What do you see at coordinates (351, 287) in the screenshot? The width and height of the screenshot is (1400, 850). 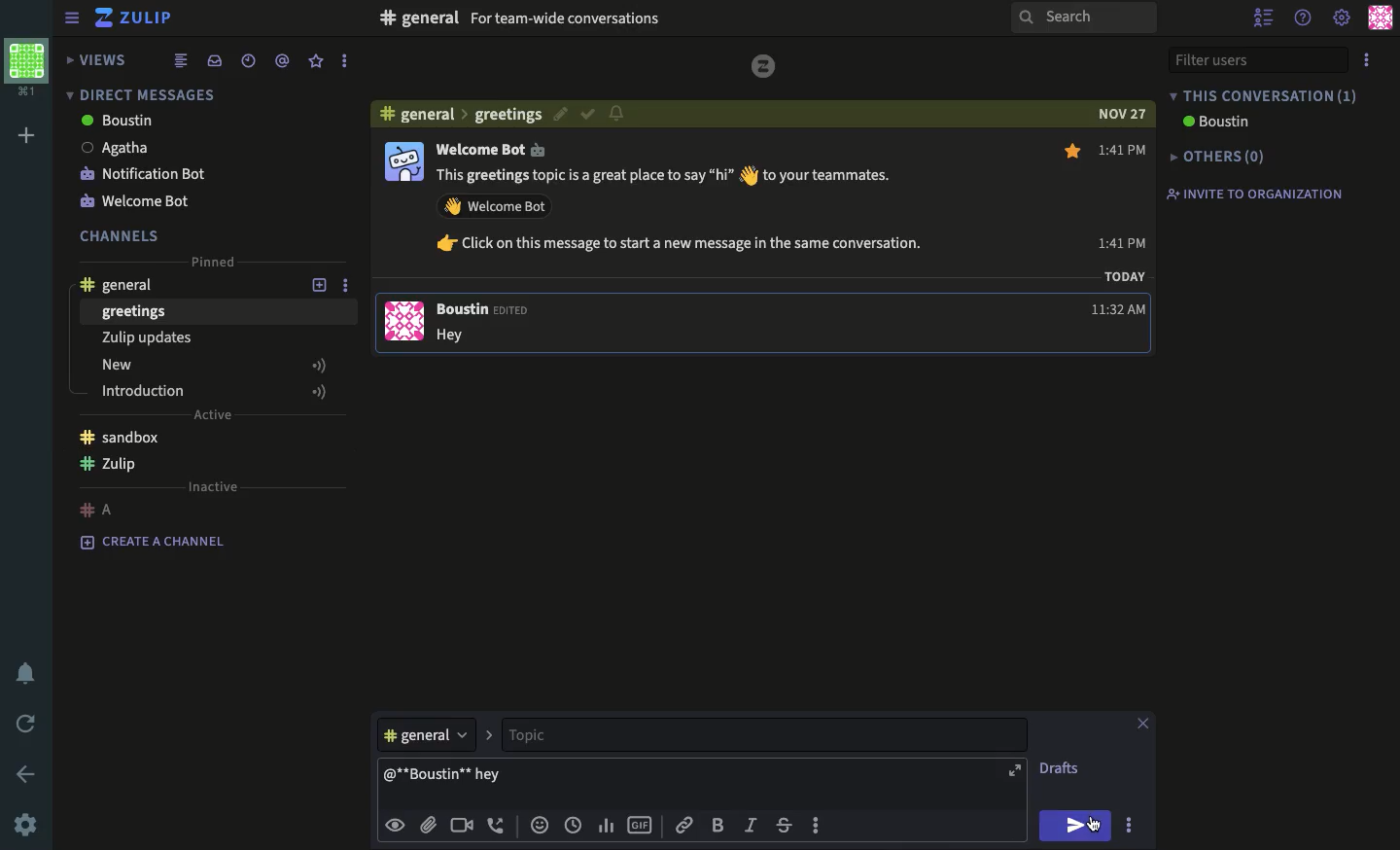 I see `options` at bounding box center [351, 287].